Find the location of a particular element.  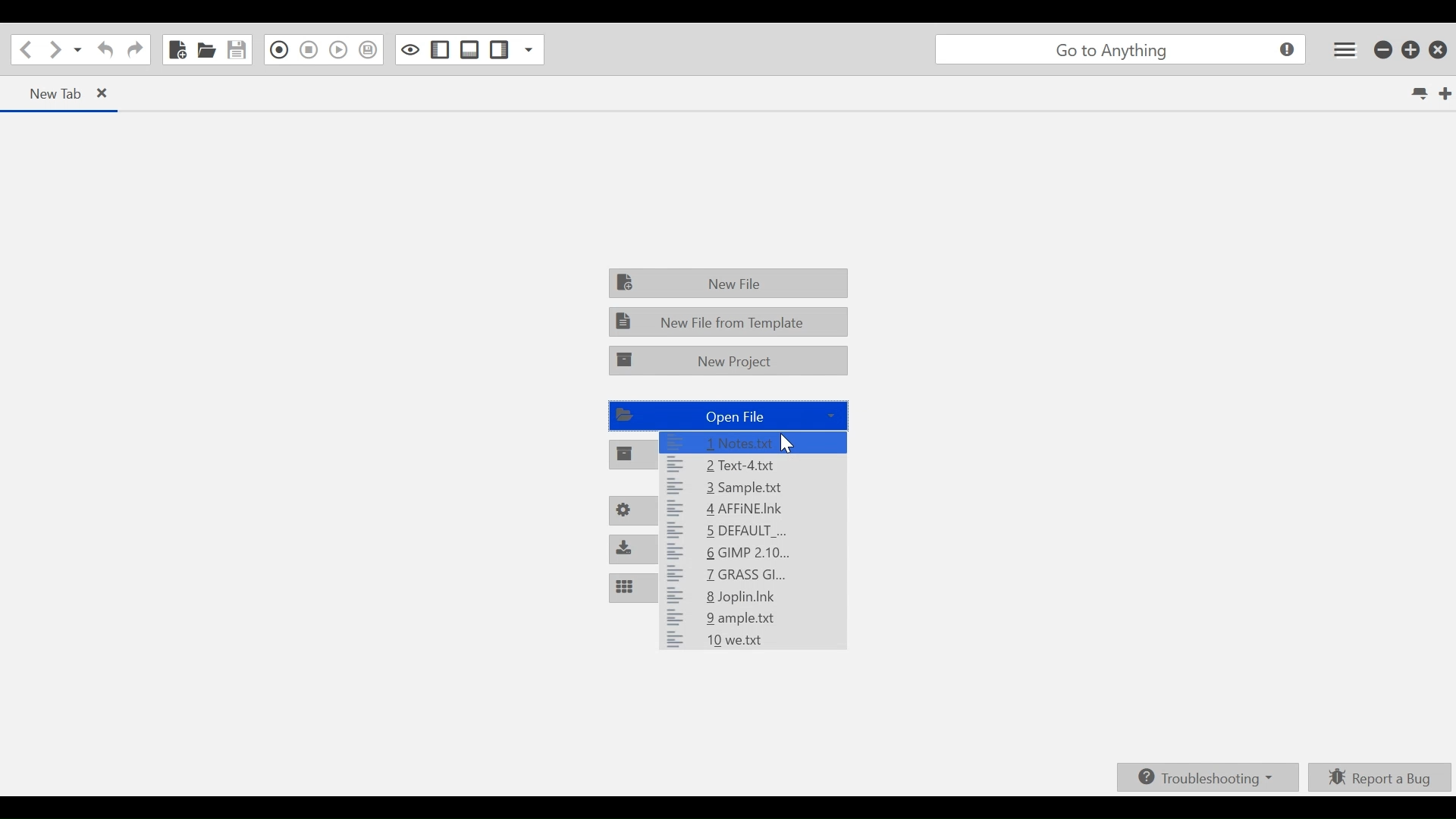

Stop Recording in Macro is located at coordinates (307, 50).